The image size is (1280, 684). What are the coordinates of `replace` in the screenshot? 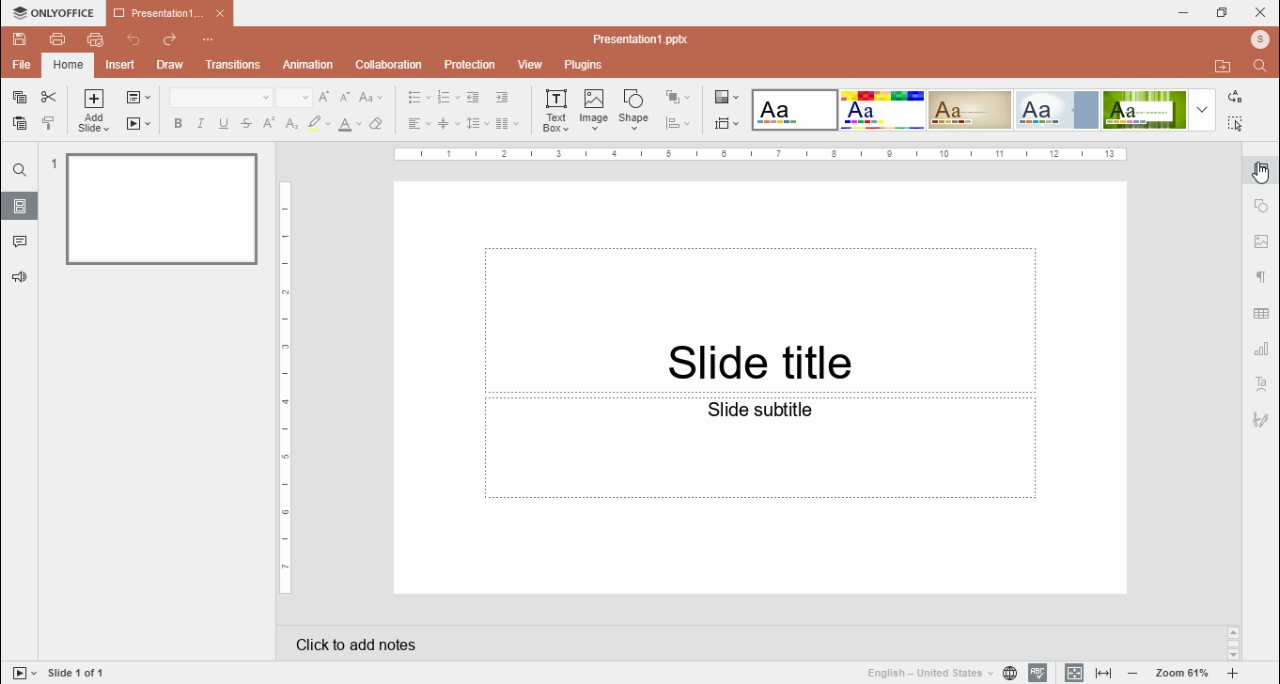 It's located at (1236, 97).